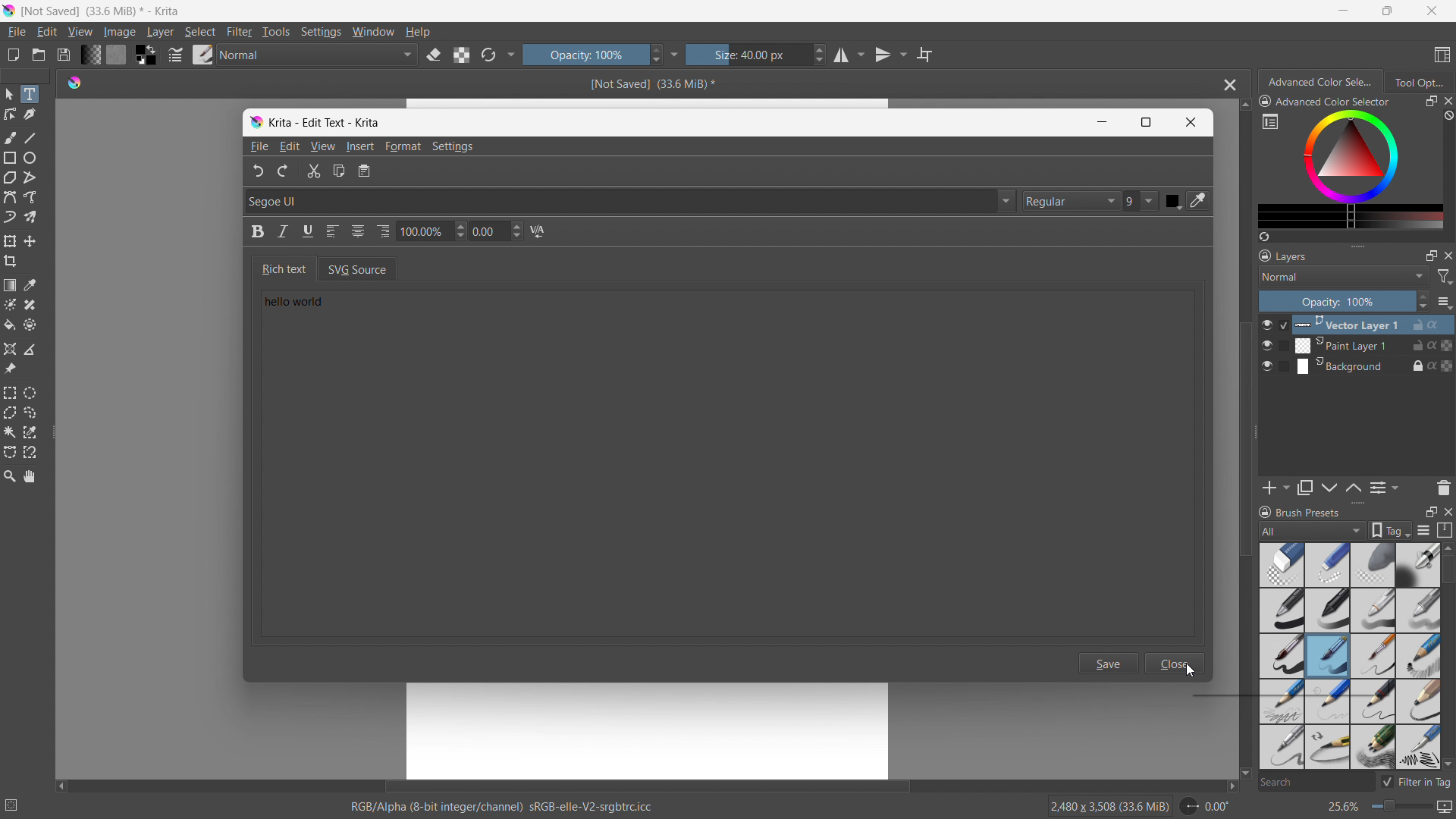  What do you see at coordinates (63, 55) in the screenshot?
I see `save` at bounding box center [63, 55].